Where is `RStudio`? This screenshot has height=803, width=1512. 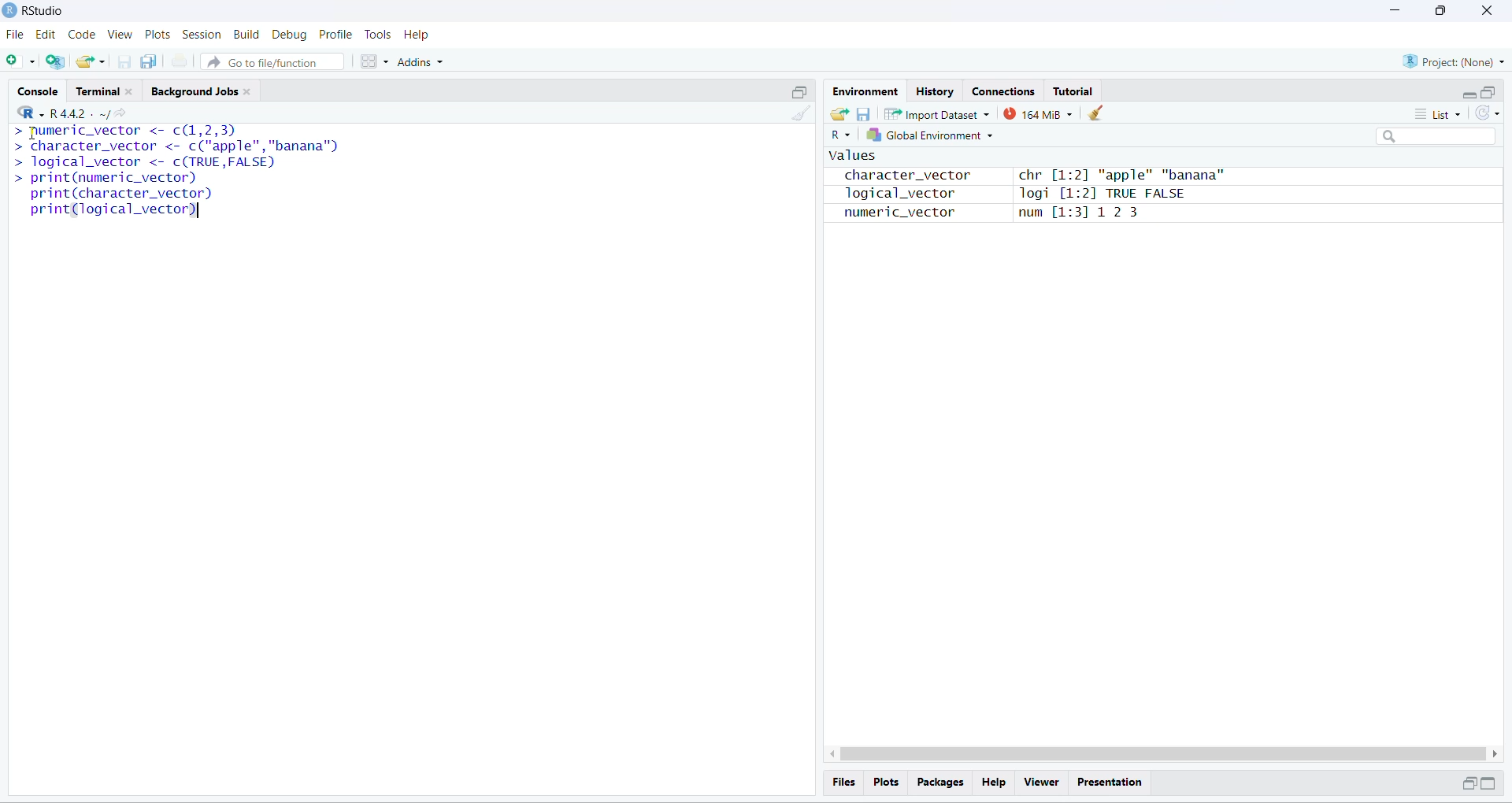
RStudio is located at coordinates (47, 9).